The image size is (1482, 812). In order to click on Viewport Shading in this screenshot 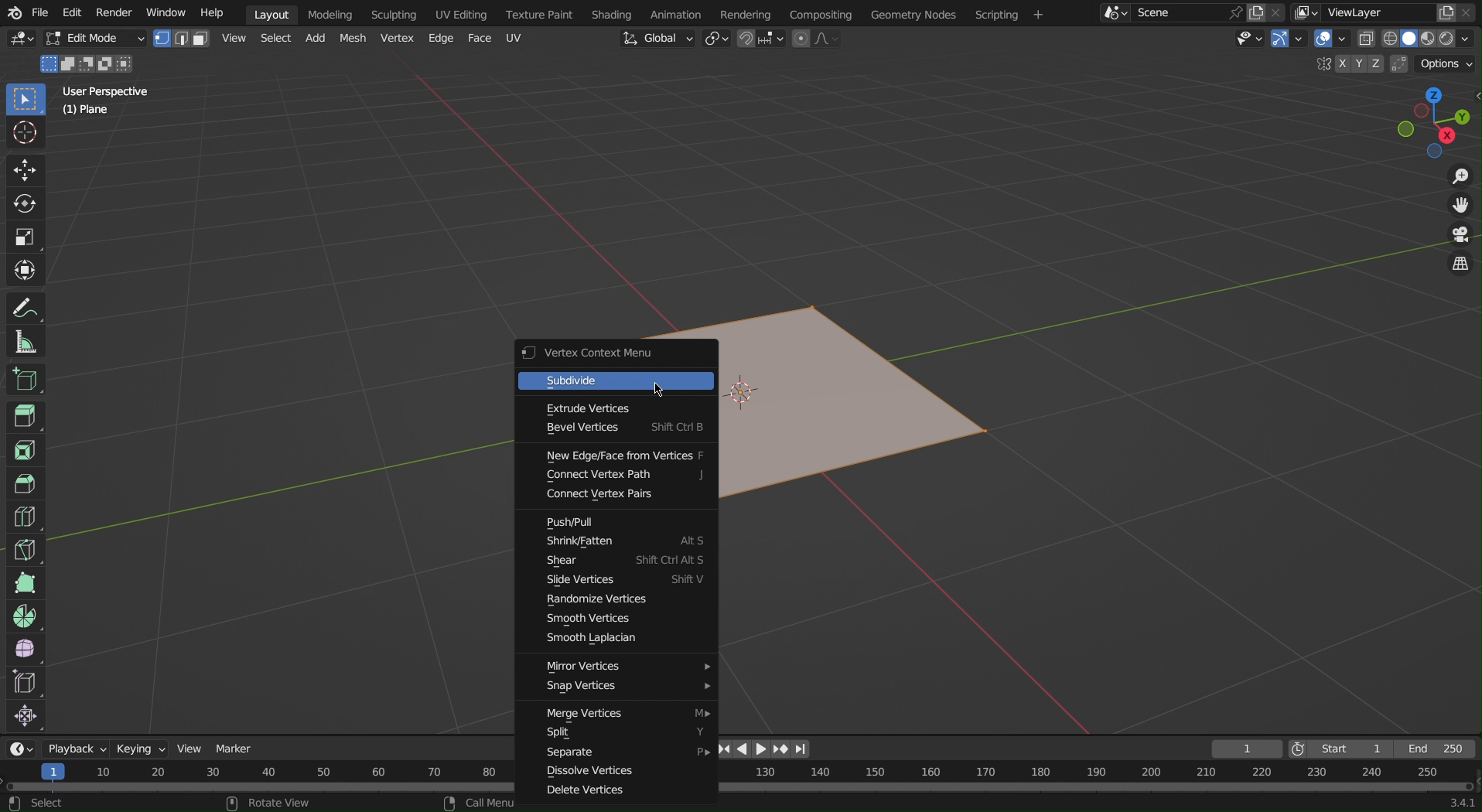, I will do `click(1420, 39)`.